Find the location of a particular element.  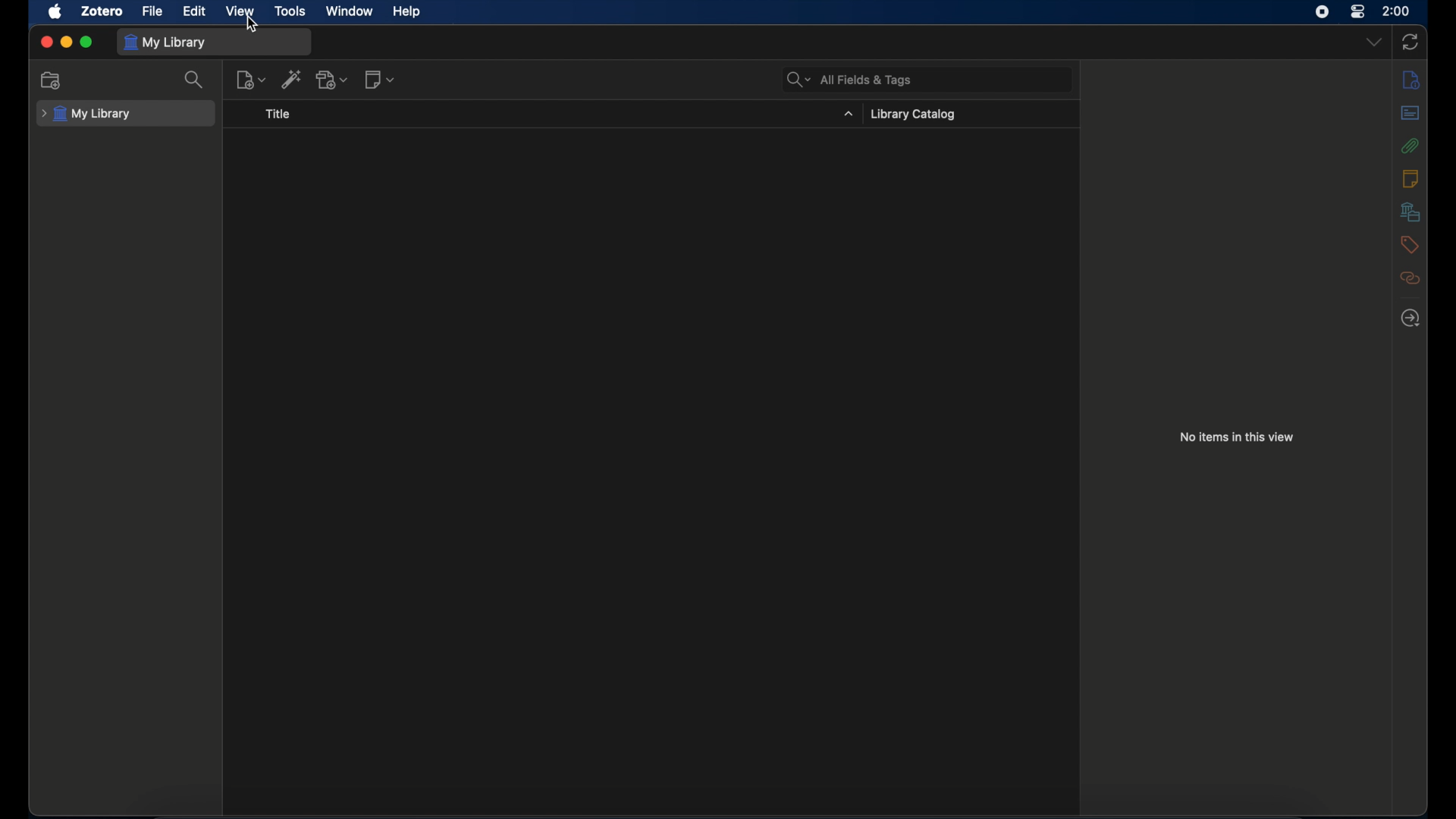

screen recorder is located at coordinates (1323, 12).